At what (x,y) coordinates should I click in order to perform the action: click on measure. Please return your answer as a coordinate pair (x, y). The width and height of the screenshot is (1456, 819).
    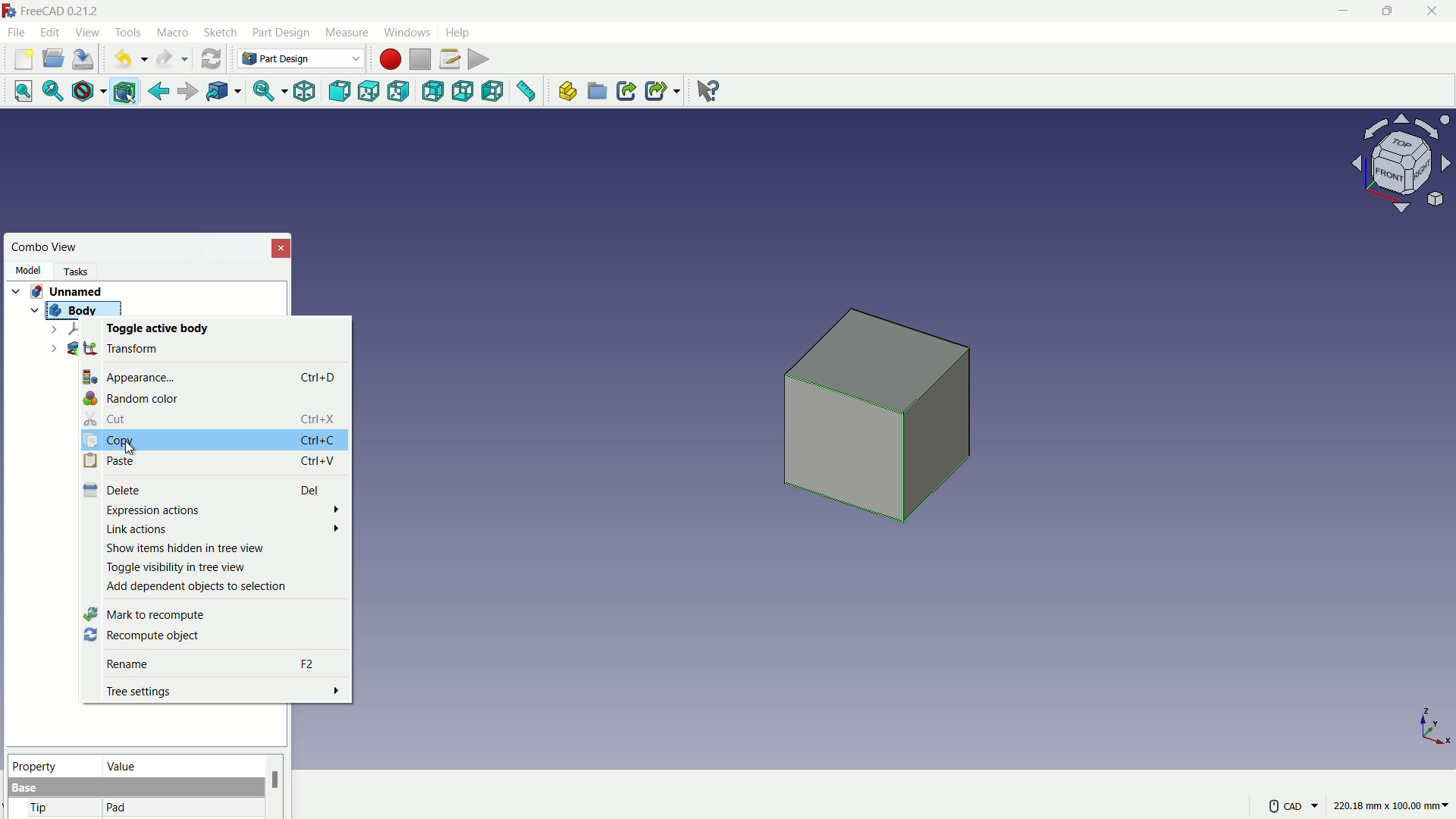
    Looking at the image, I should click on (346, 33).